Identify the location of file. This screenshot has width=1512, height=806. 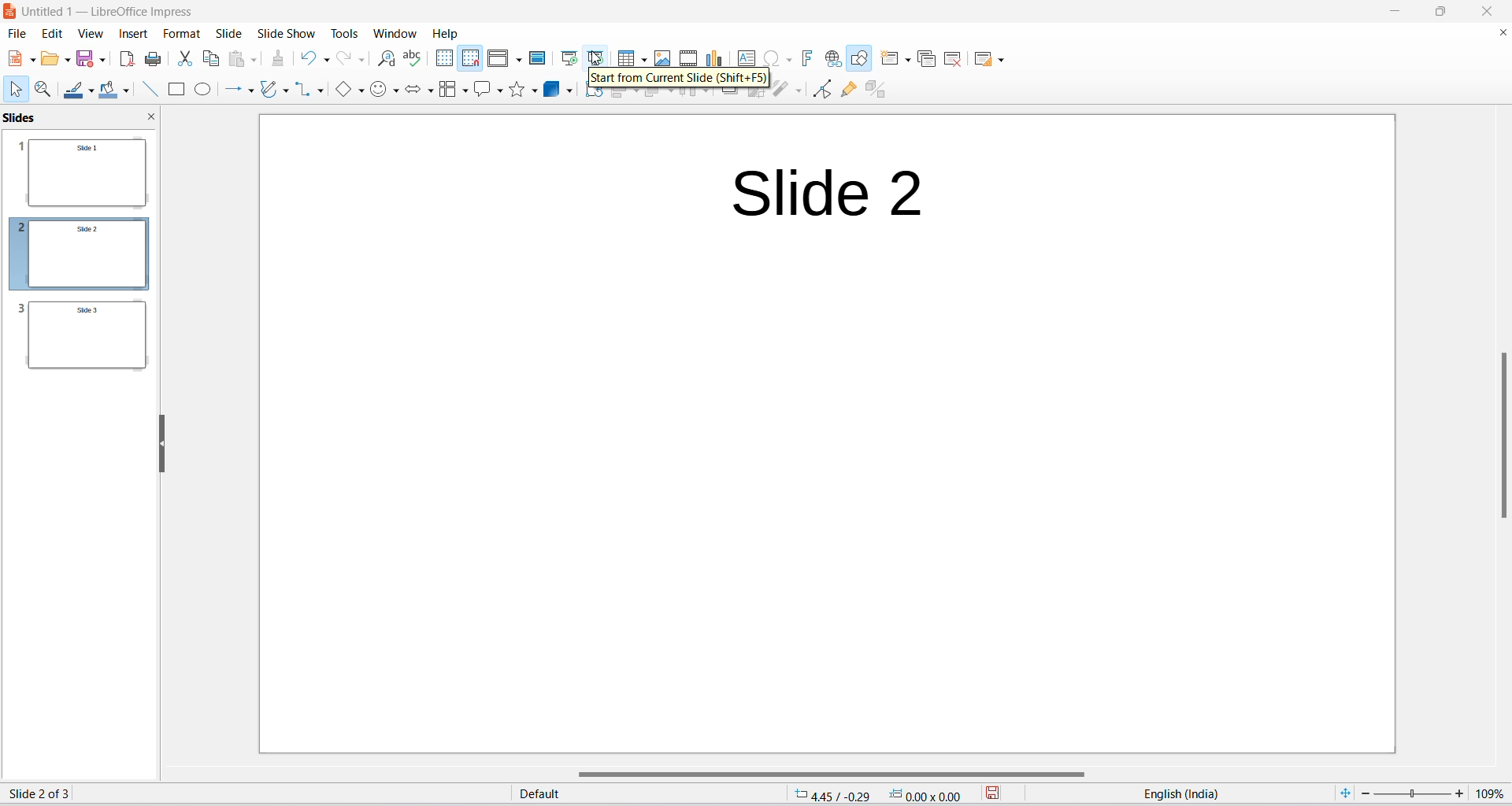
(19, 35).